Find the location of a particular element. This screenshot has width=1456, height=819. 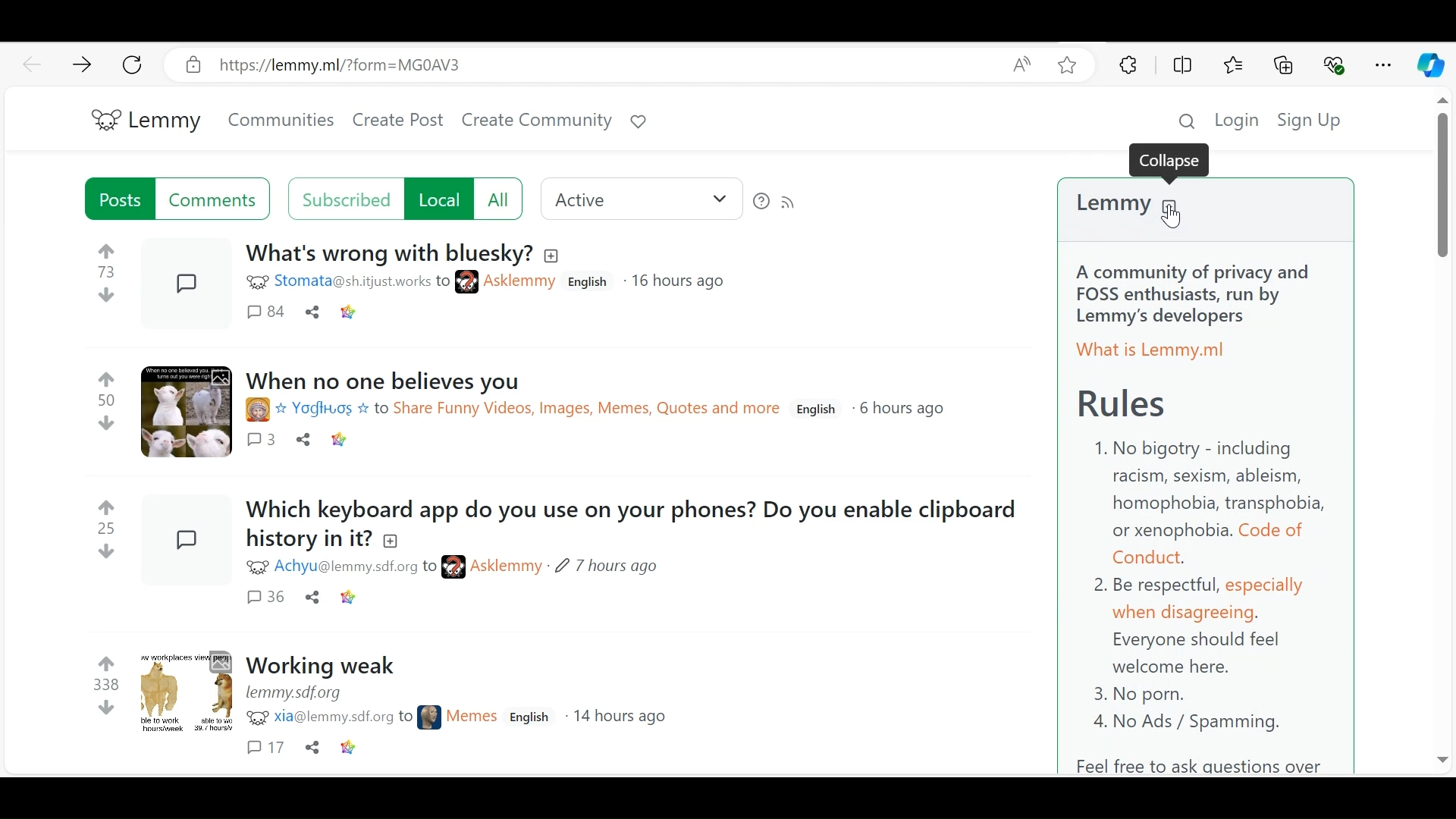

Lemmy is located at coordinates (165, 120).